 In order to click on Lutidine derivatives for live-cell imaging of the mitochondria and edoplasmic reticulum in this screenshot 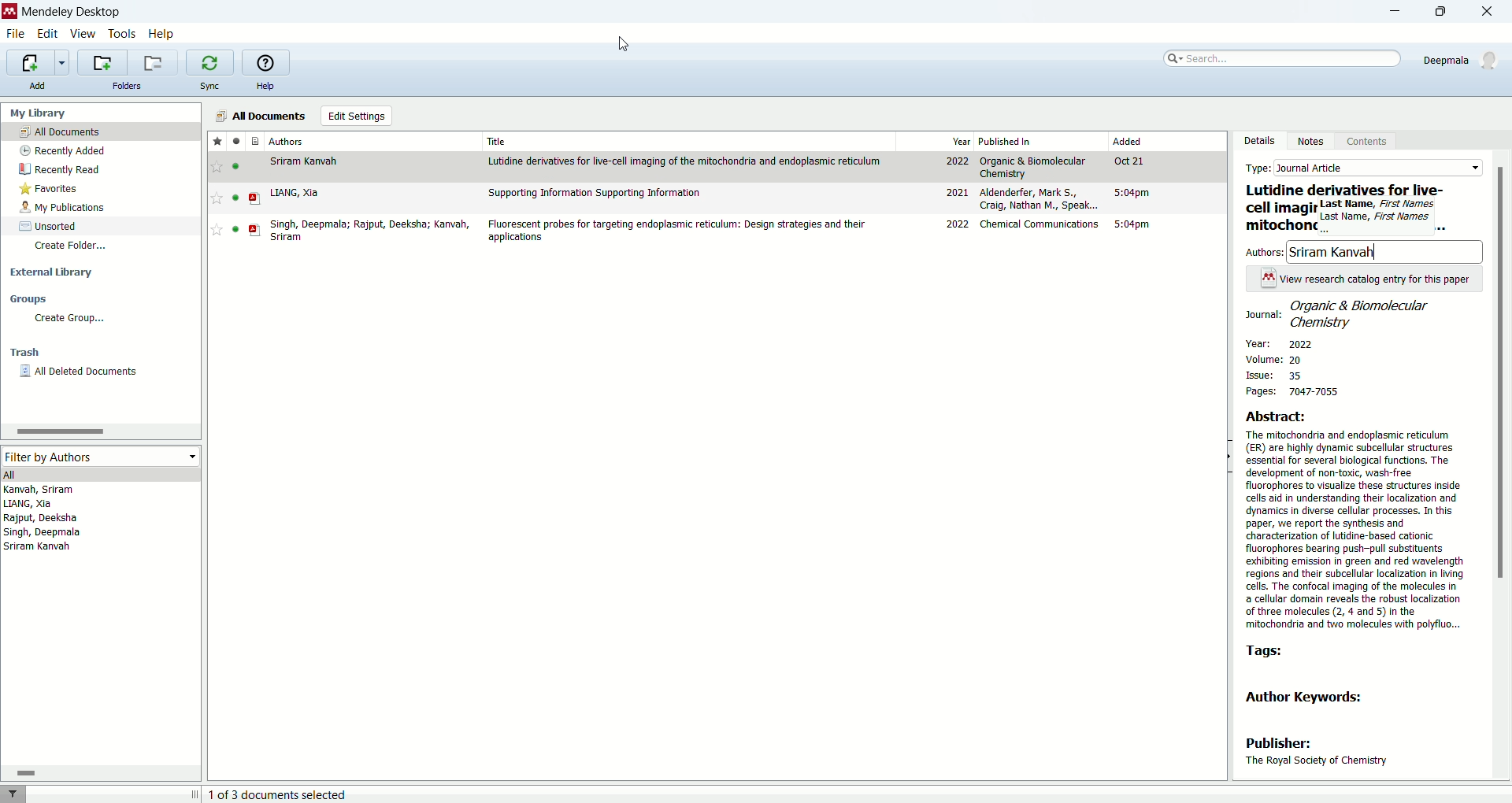, I will do `click(687, 161)`.